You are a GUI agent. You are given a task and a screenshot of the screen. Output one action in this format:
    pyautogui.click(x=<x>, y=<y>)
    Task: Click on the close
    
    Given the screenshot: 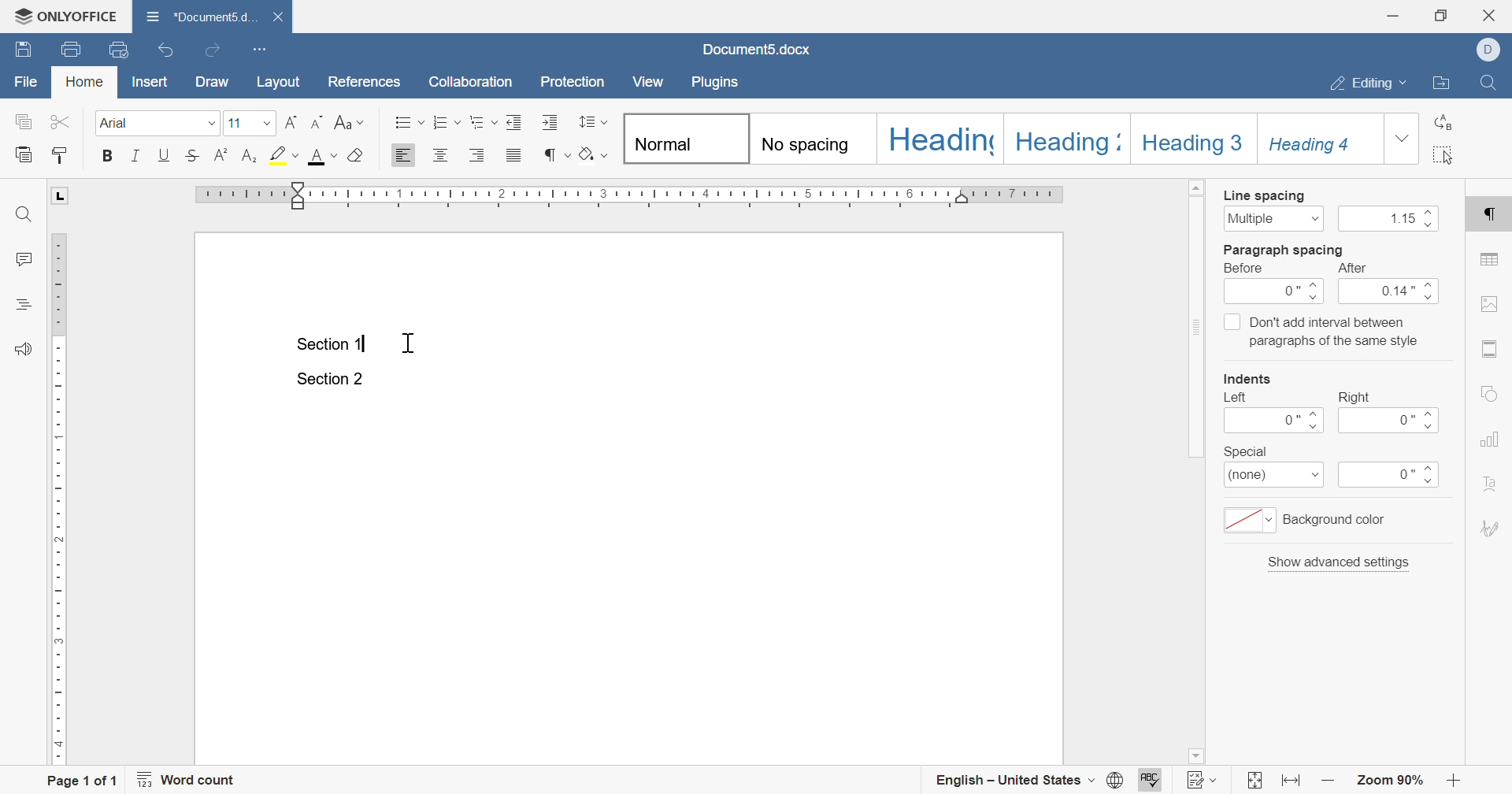 What is the action you would take?
    pyautogui.click(x=277, y=17)
    